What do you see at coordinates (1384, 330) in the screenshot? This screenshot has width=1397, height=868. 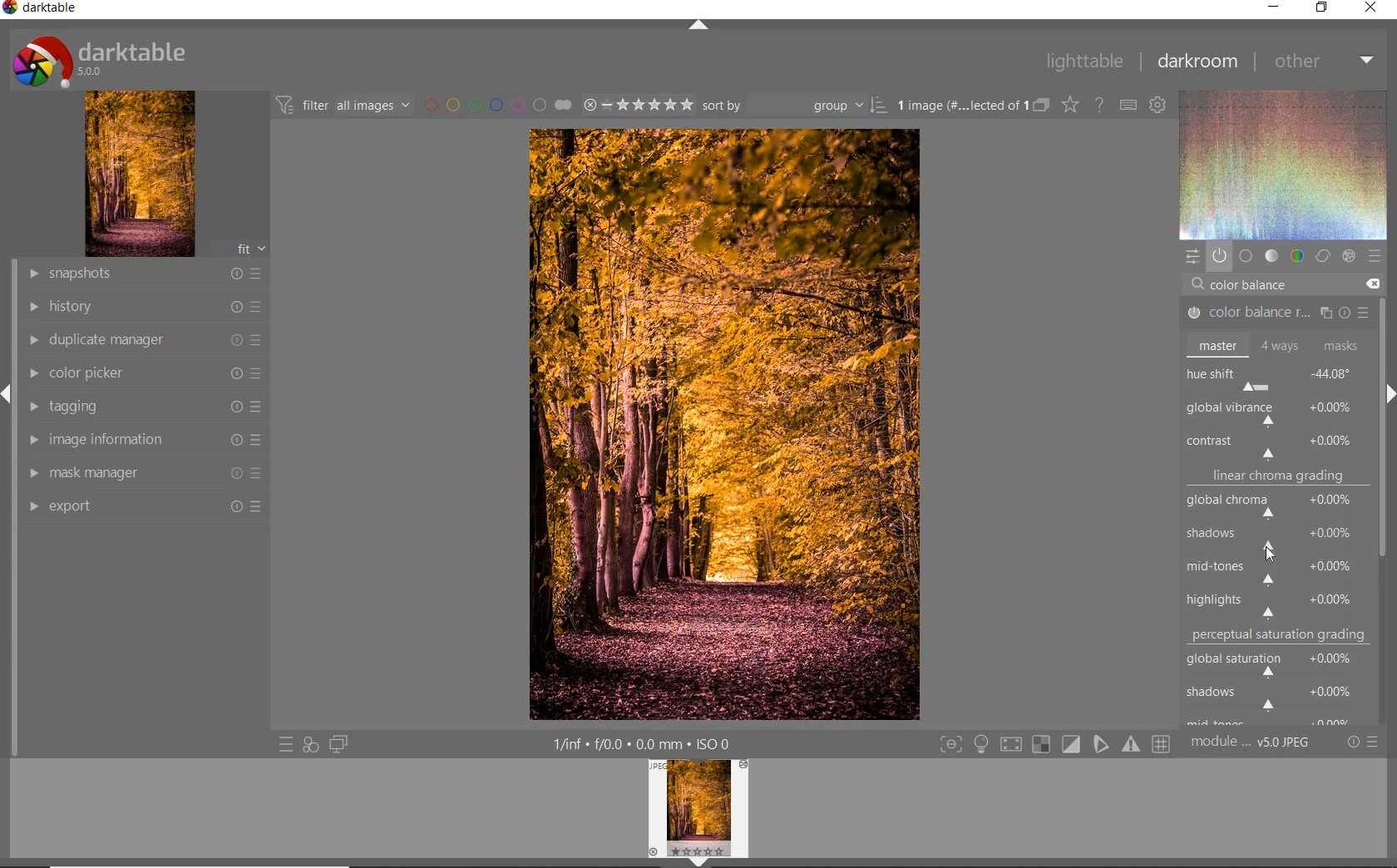 I see `scrollbar` at bounding box center [1384, 330].